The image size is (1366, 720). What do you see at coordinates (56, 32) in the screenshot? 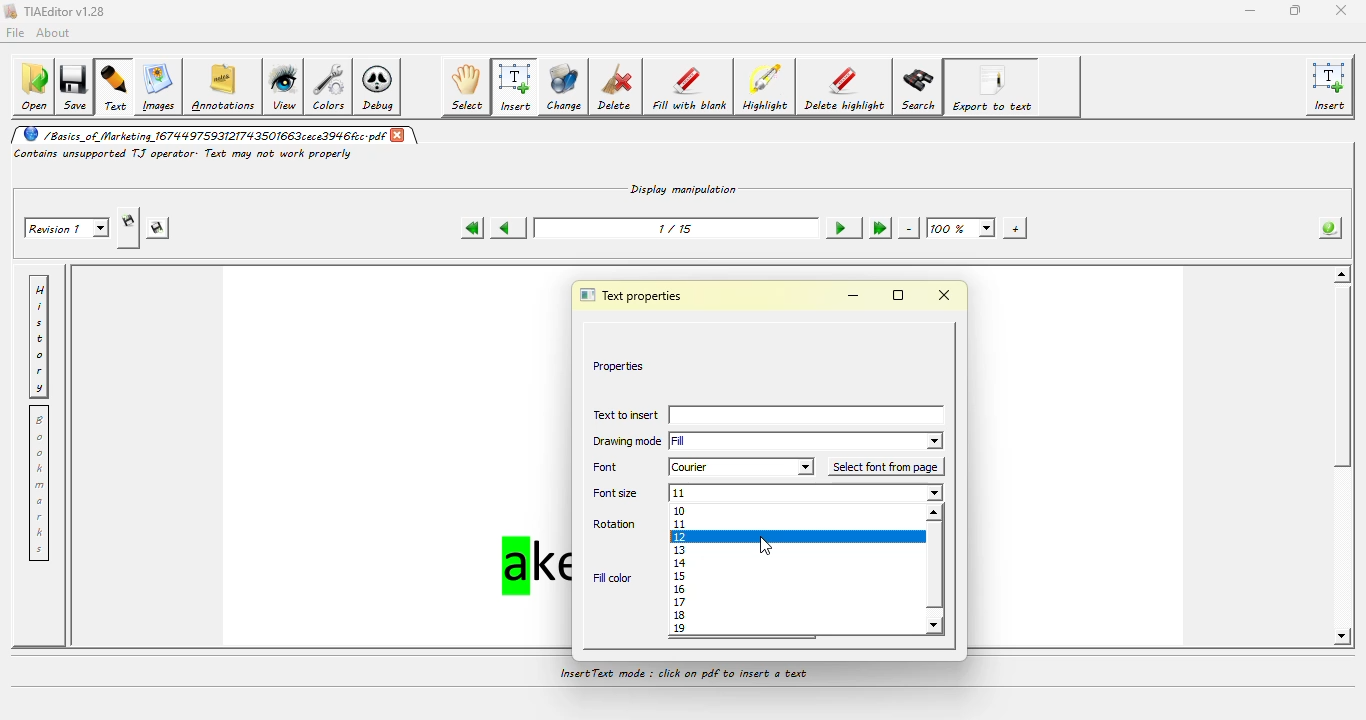
I see `about` at bounding box center [56, 32].